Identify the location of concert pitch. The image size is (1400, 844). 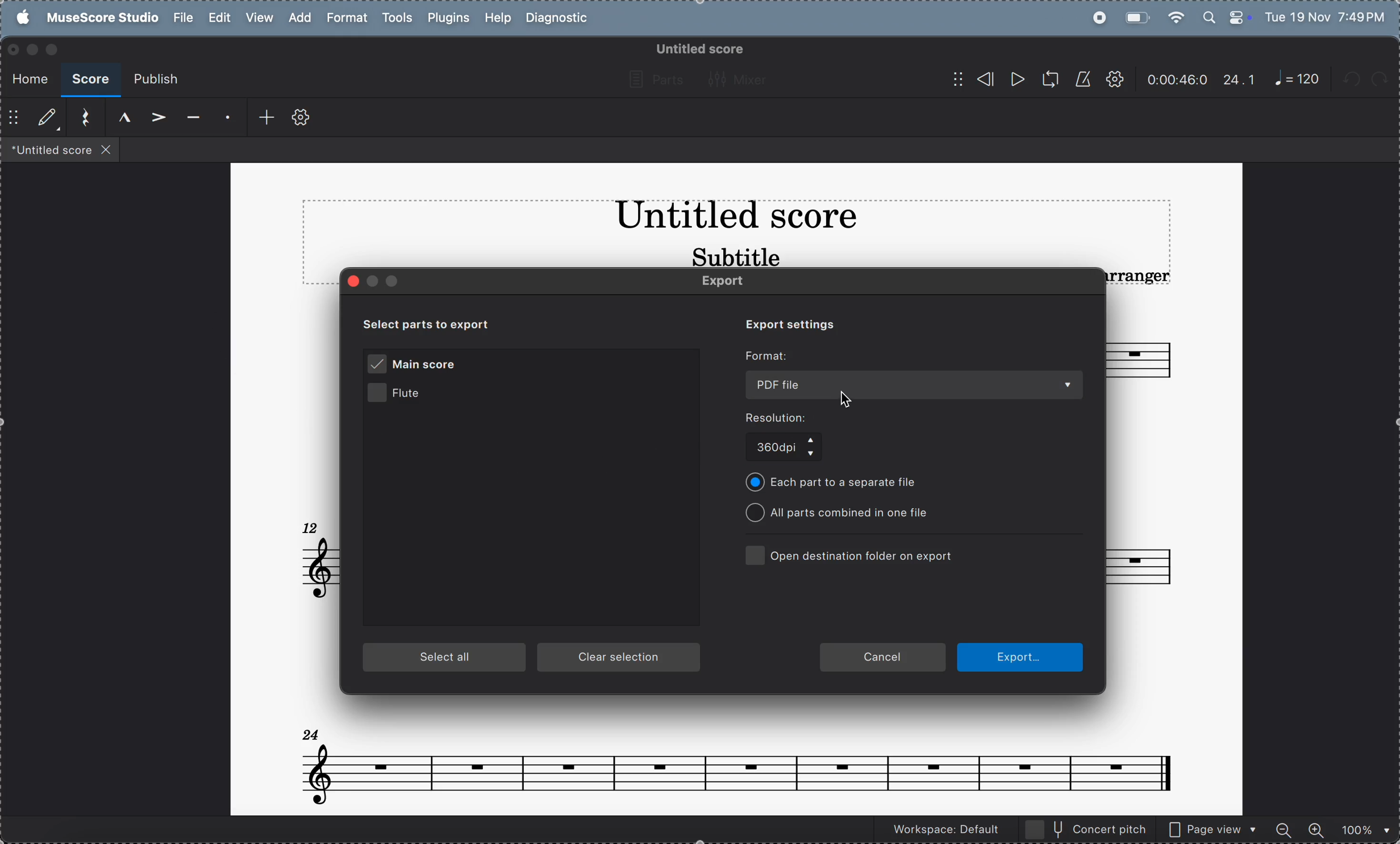
(1087, 829).